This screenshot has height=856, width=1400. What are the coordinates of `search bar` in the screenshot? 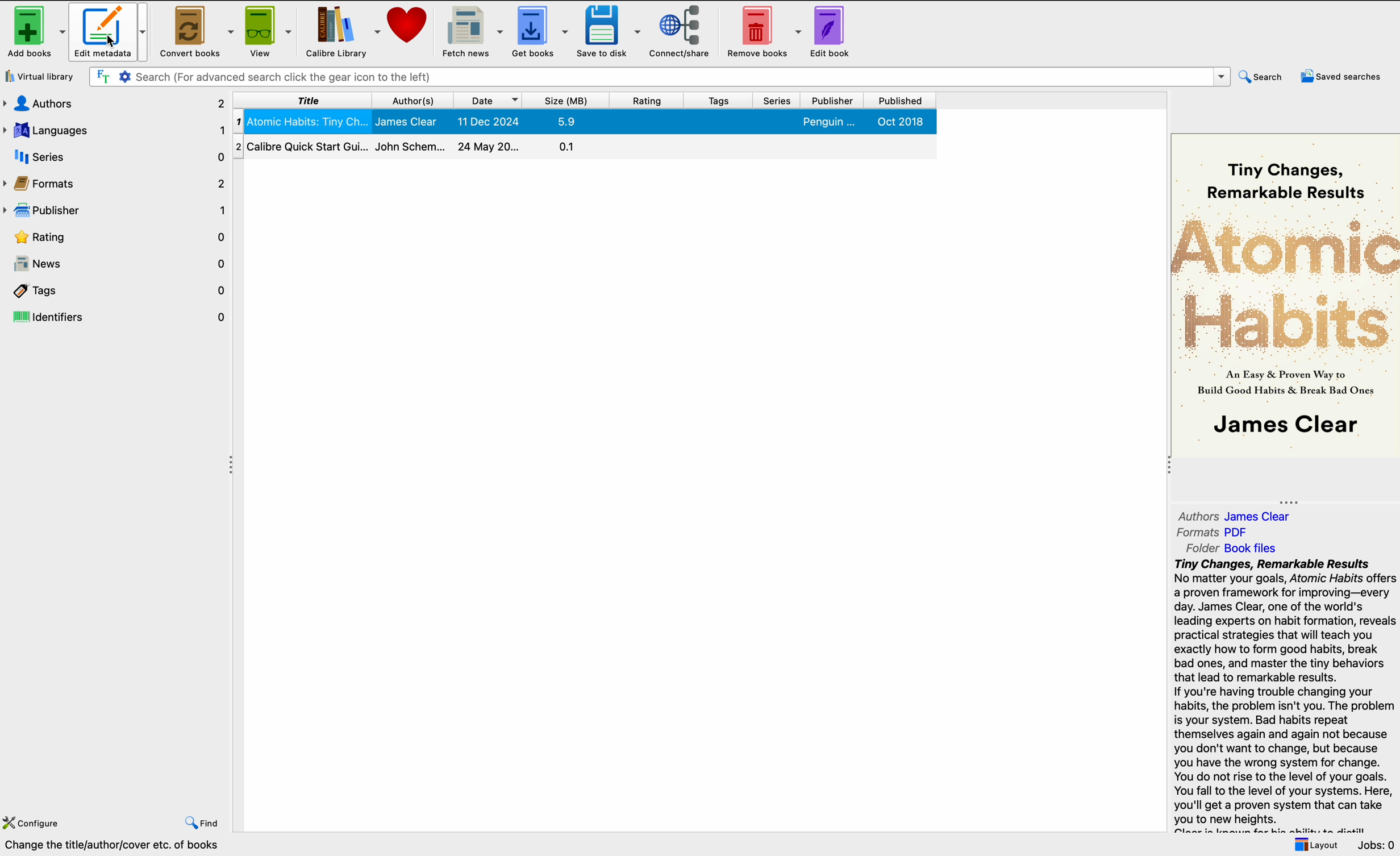 It's located at (661, 77).